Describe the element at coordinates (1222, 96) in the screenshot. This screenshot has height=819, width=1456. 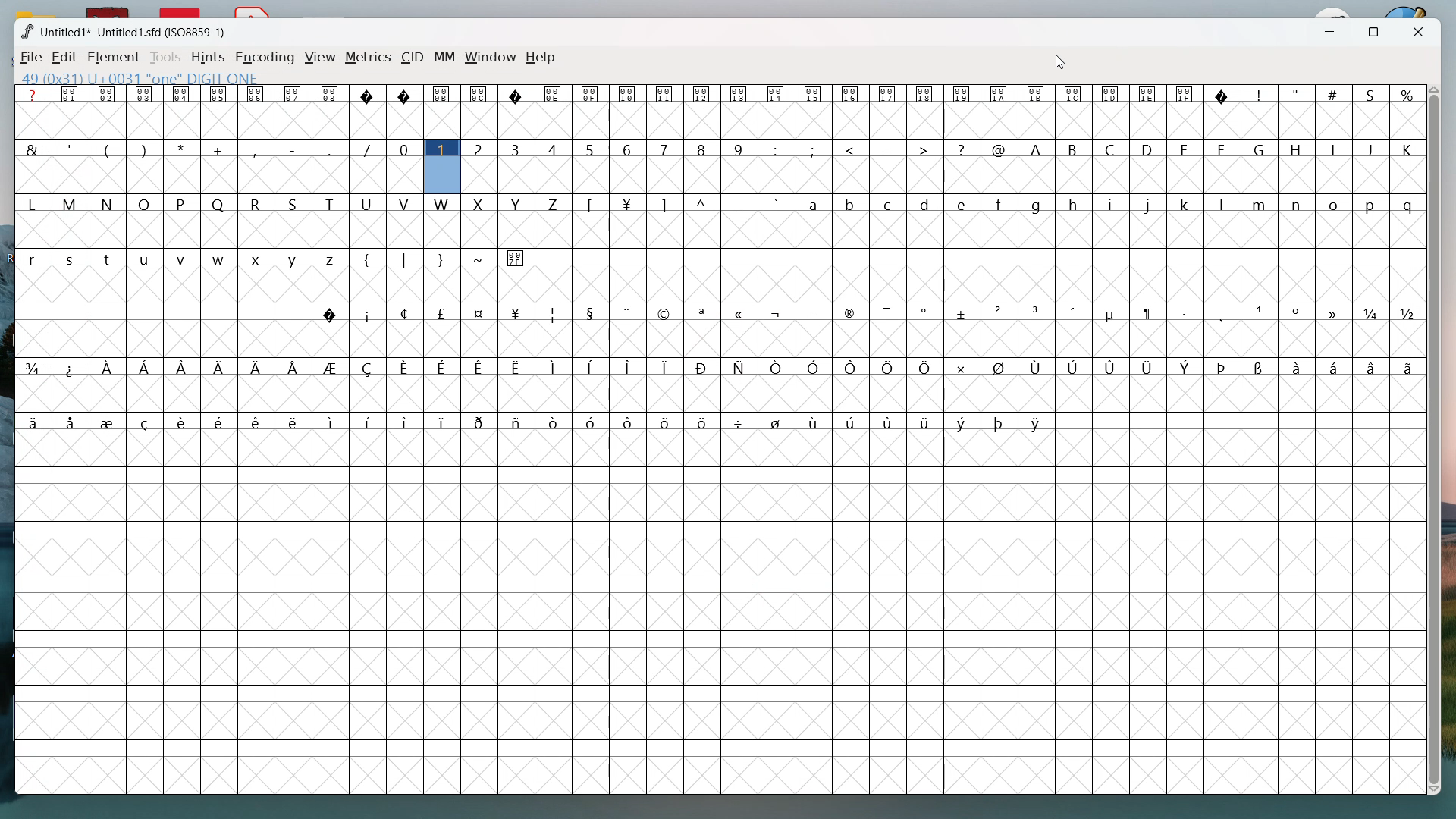
I see `symbol` at that location.